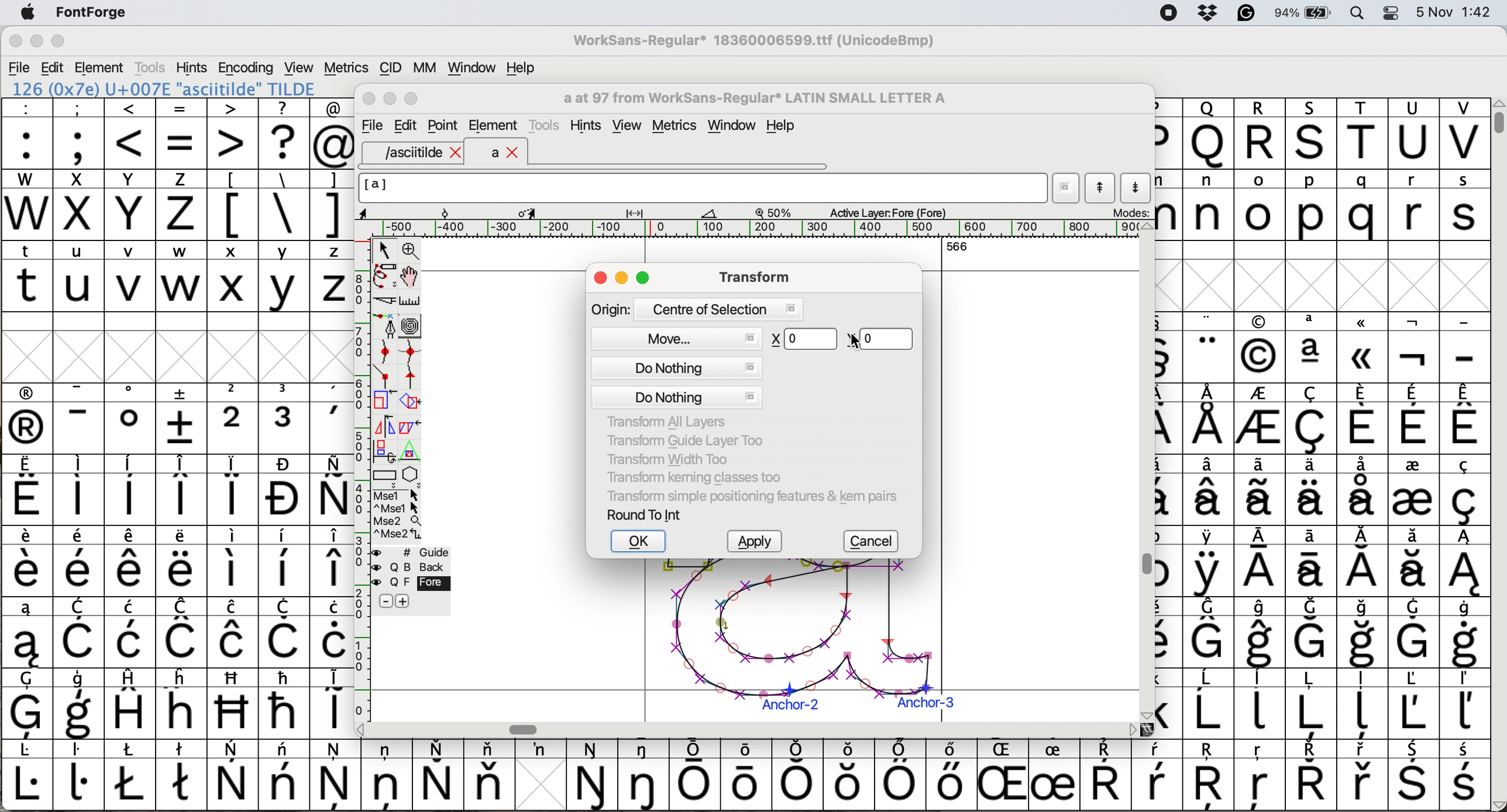  I want to click on skew selection, so click(413, 429).